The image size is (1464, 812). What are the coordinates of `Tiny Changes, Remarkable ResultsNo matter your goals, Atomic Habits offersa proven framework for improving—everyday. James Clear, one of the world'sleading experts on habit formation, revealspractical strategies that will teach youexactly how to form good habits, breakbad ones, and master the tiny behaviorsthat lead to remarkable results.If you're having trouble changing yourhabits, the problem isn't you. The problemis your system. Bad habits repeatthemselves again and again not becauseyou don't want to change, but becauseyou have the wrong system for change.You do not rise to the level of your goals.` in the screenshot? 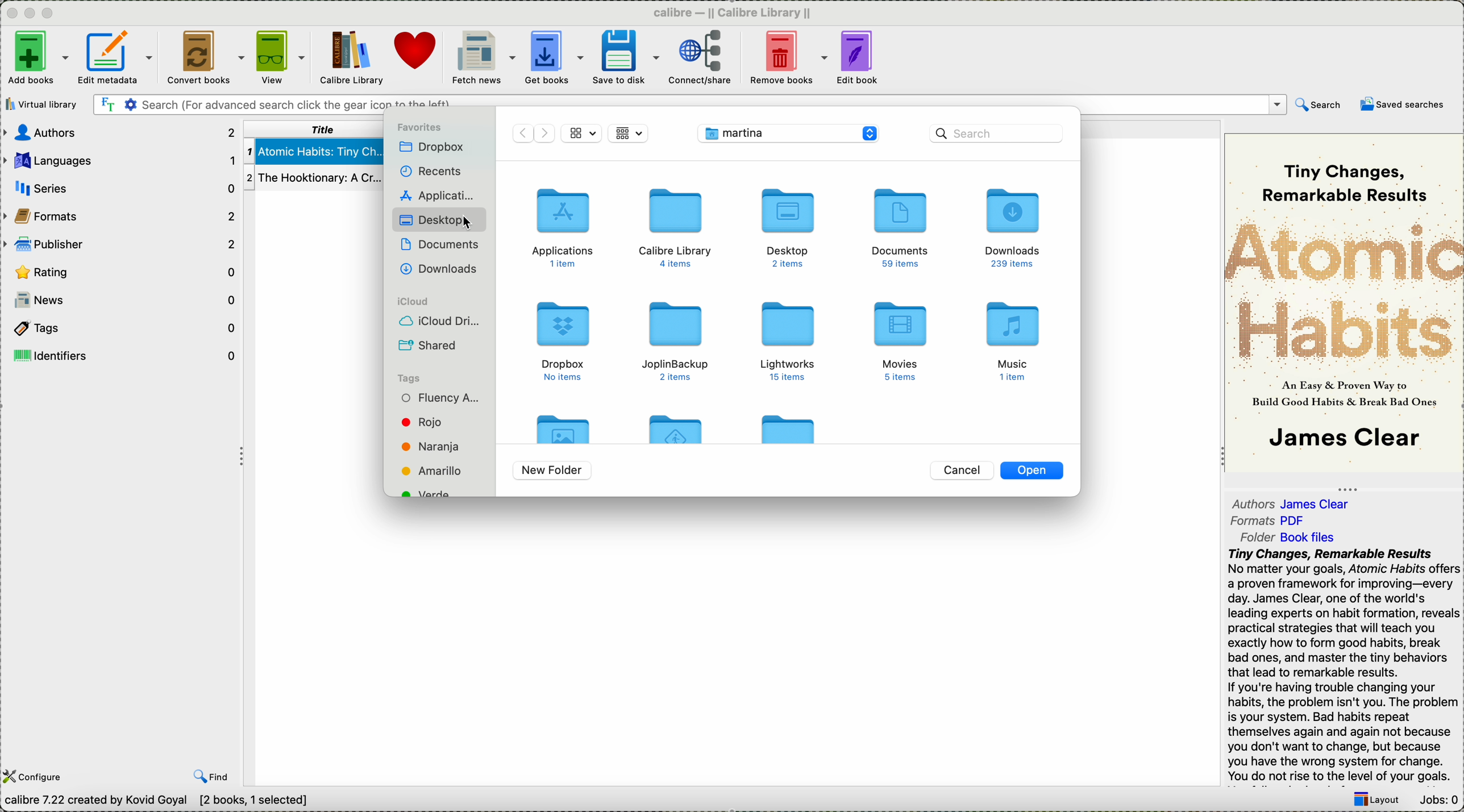 It's located at (1341, 665).